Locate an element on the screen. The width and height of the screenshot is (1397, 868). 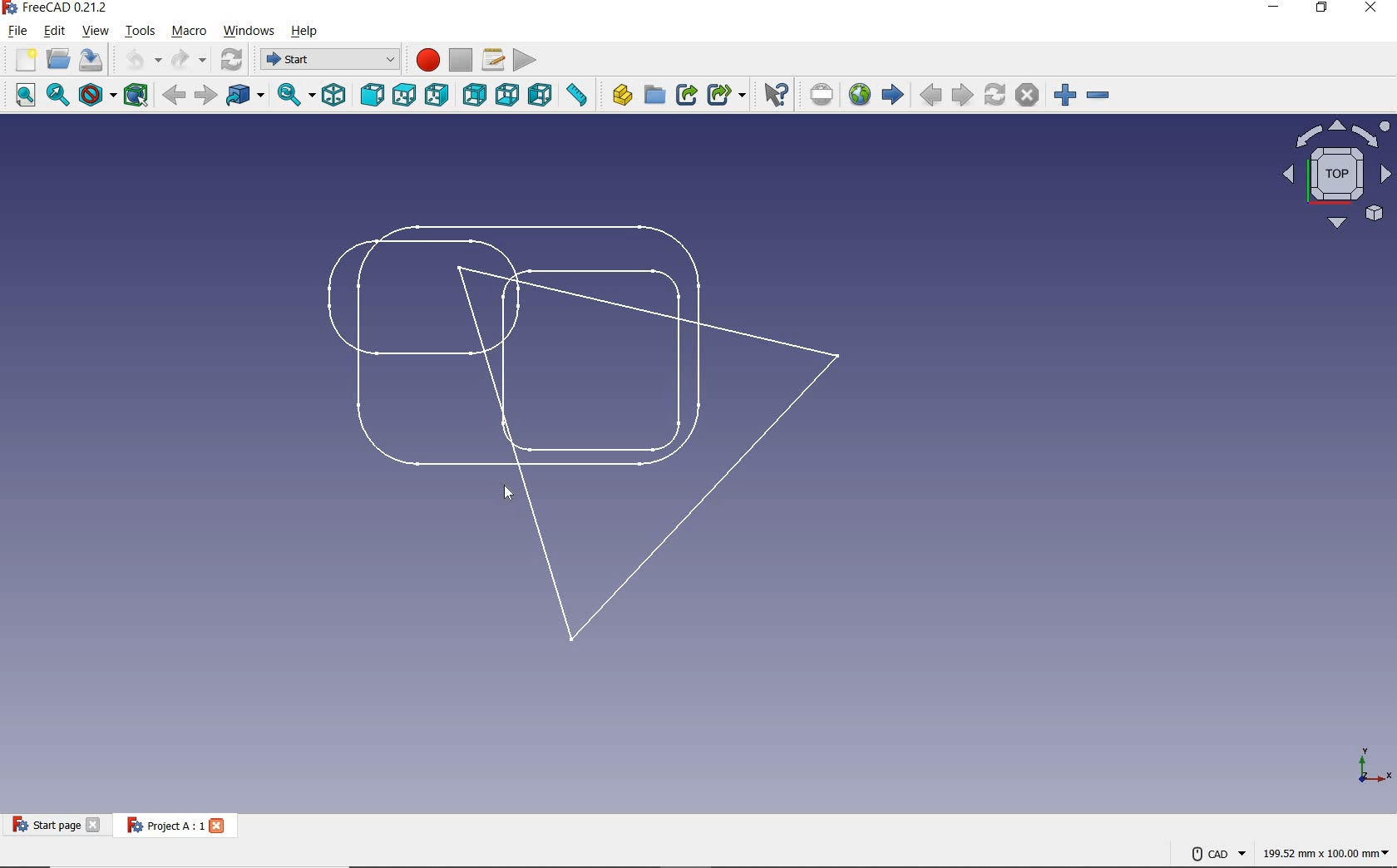
REAR is located at coordinates (475, 96).